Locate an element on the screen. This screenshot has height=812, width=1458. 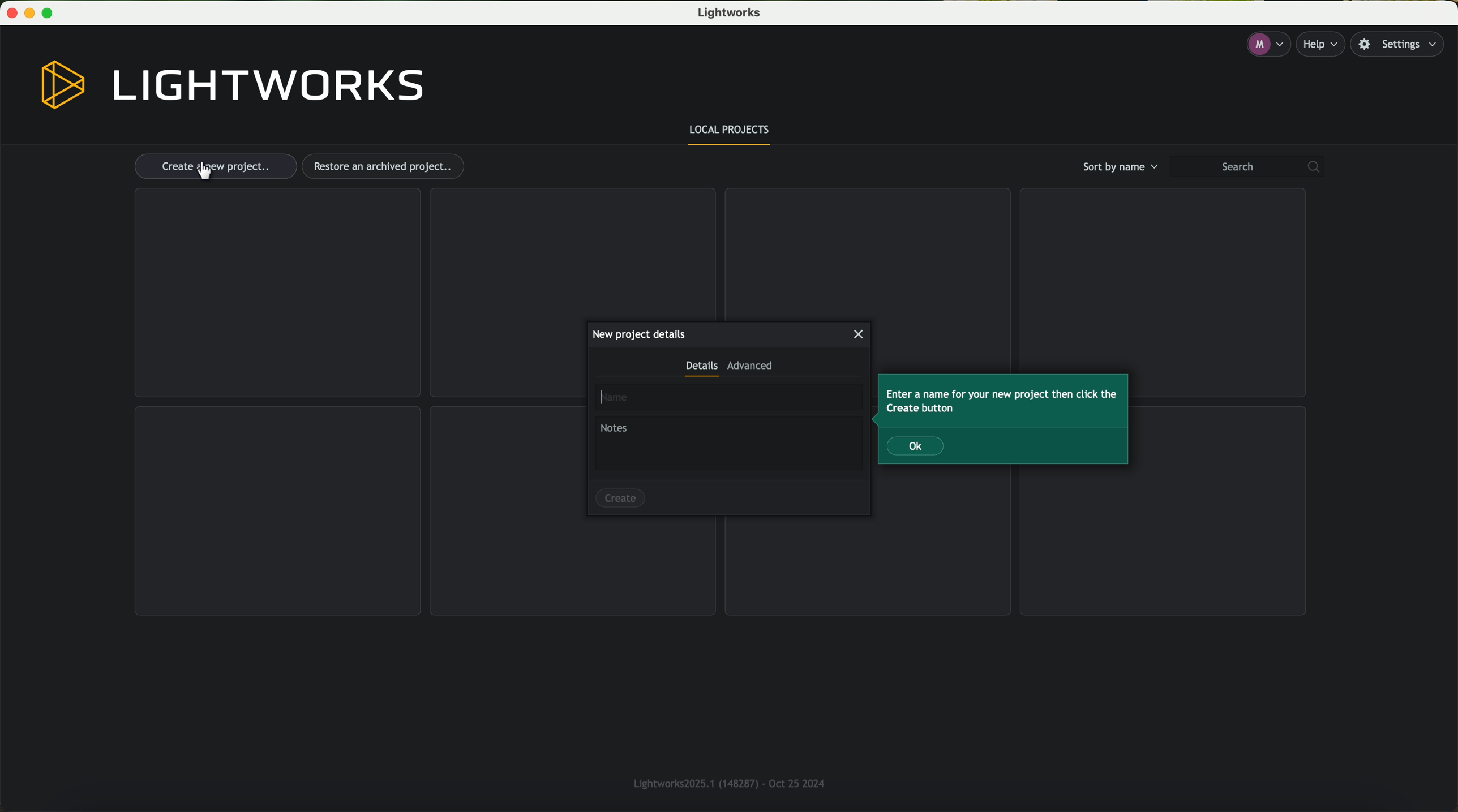
click on create new project is located at coordinates (215, 167).